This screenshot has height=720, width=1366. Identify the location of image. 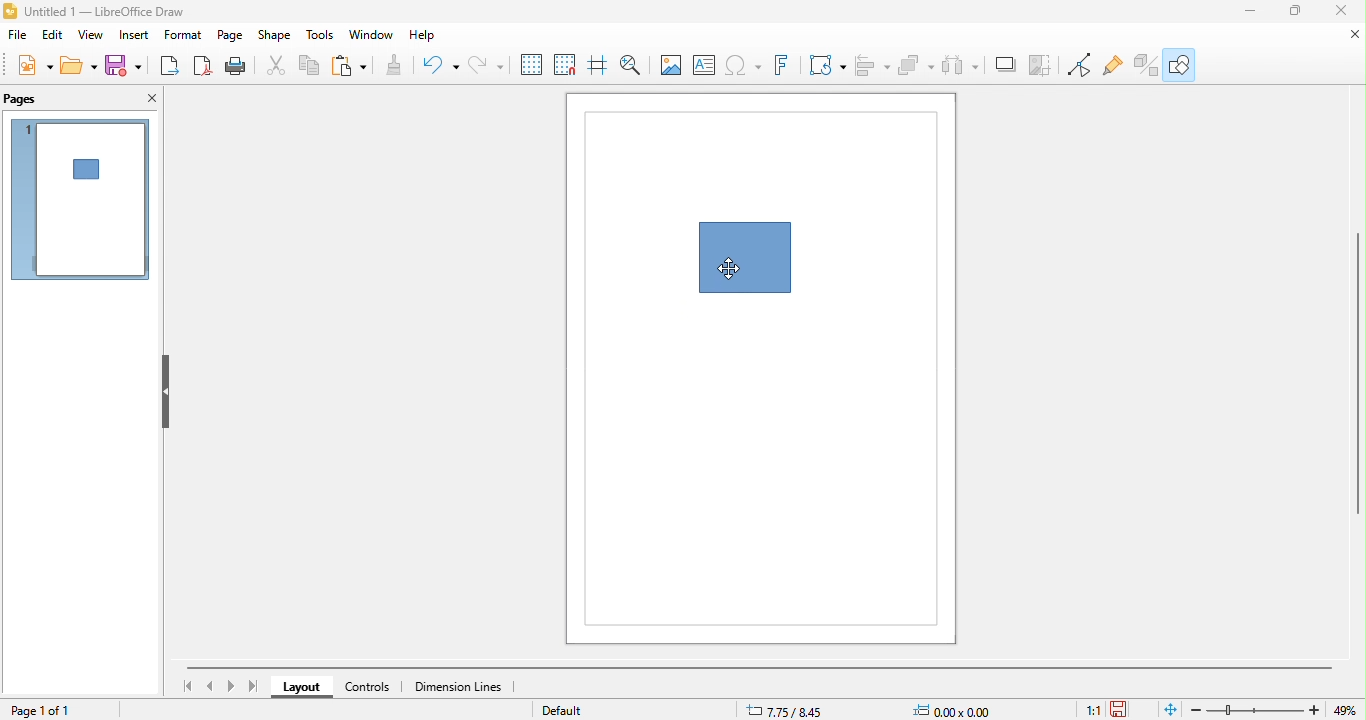
(670, 67).